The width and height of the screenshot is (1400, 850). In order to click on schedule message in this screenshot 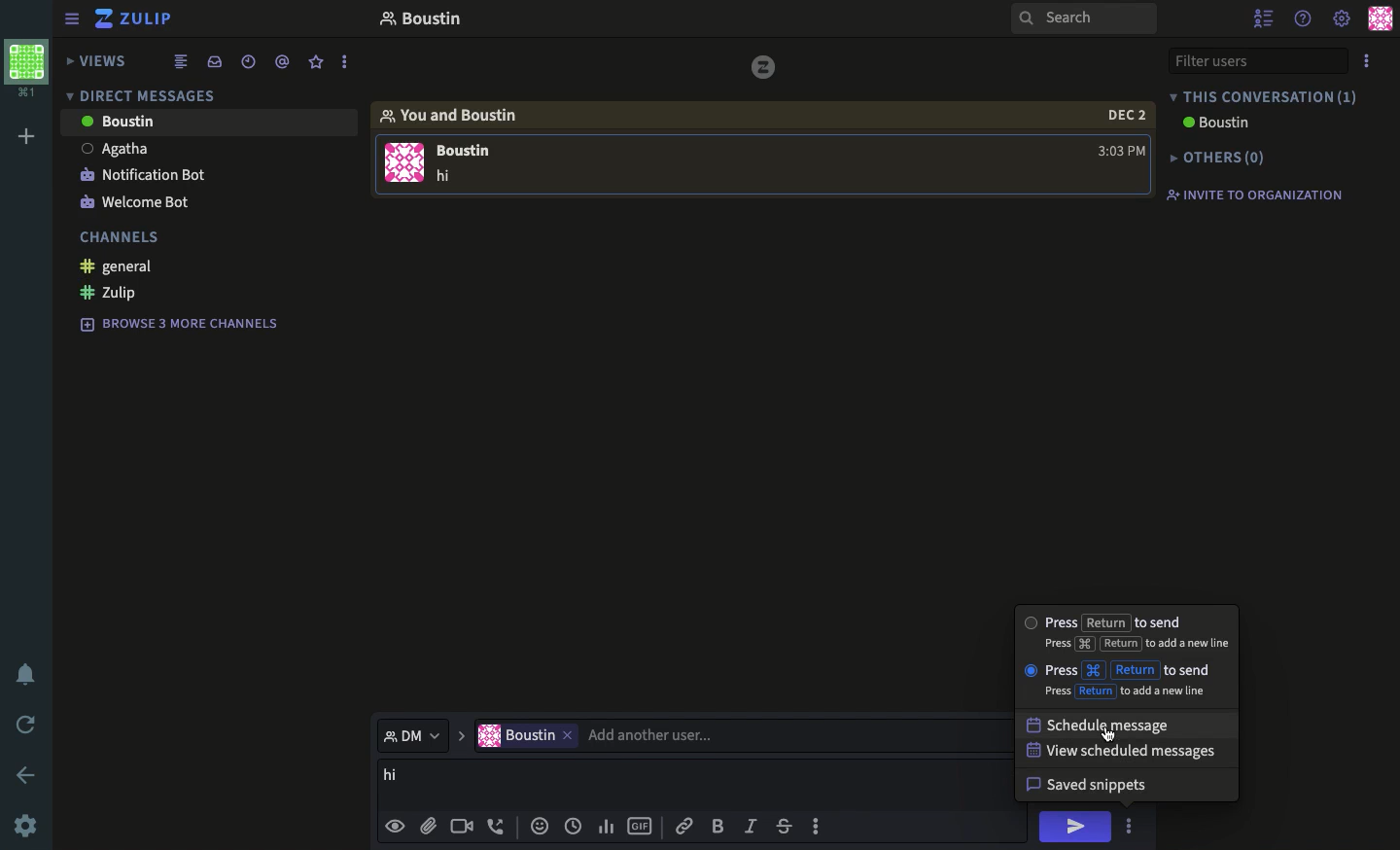, I will do `click(1103, 724)`.